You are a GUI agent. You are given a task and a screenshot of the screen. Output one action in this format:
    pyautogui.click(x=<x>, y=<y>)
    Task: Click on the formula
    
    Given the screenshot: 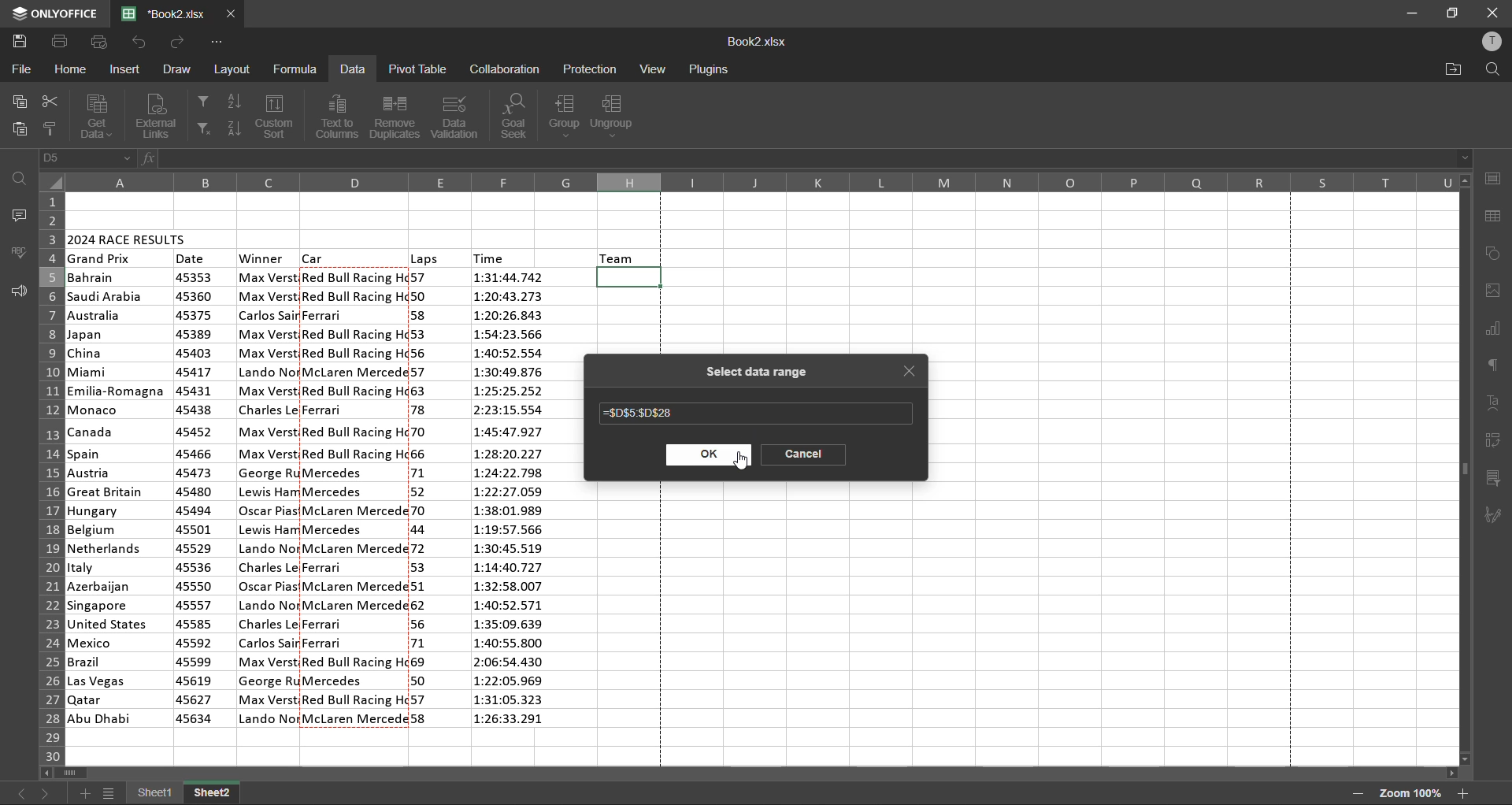 What is the action you would take?
    pyautogui.click(x=298, y=68)
    